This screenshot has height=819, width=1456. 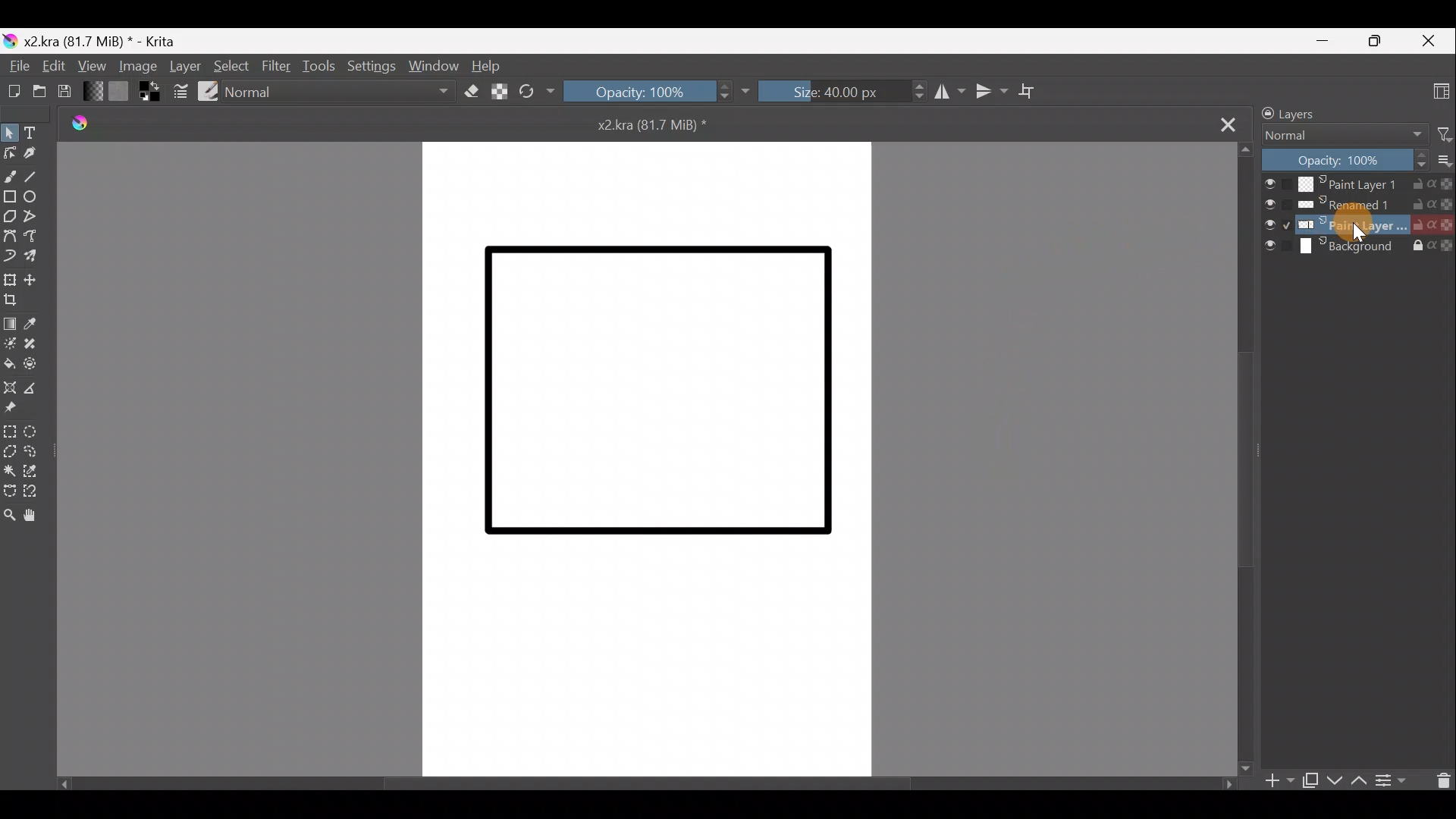 What do you see at coordinates (533, 93) in the screenshot?
I see `Reload original preset` at bounding box center [533, 93].